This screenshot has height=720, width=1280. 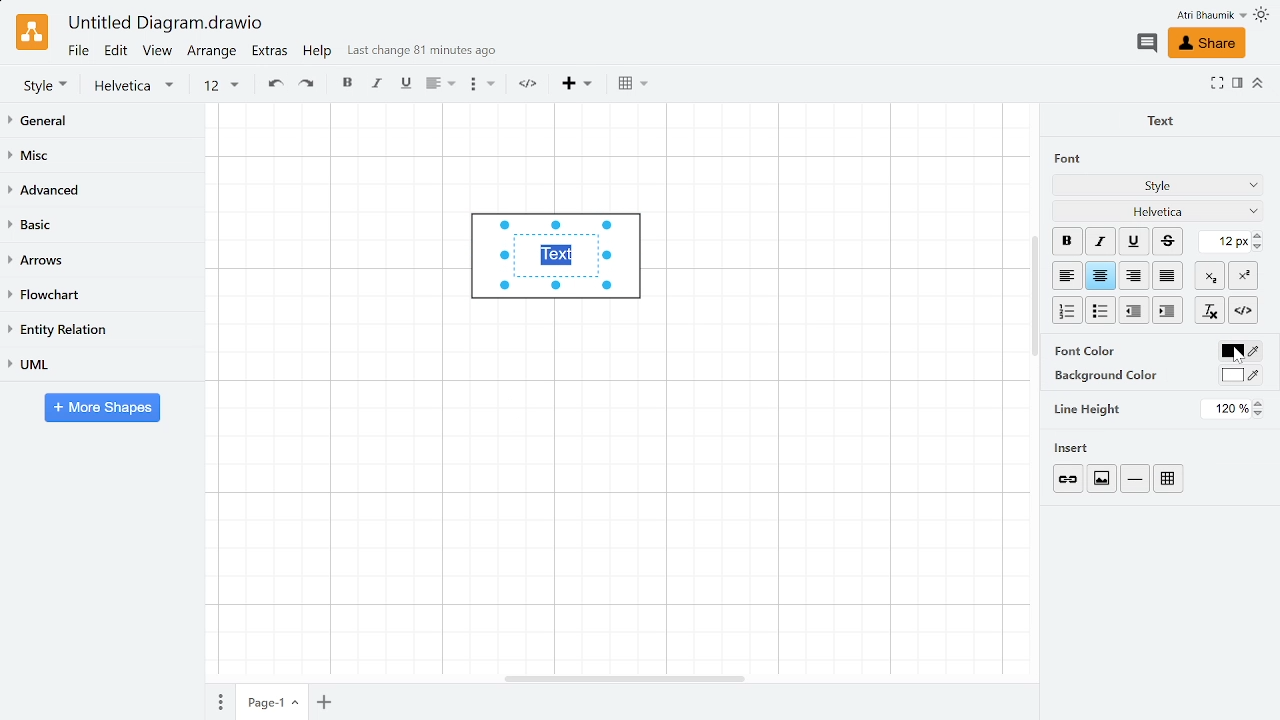 I want to click on Decrease line height, so click(x=1261, y=415).